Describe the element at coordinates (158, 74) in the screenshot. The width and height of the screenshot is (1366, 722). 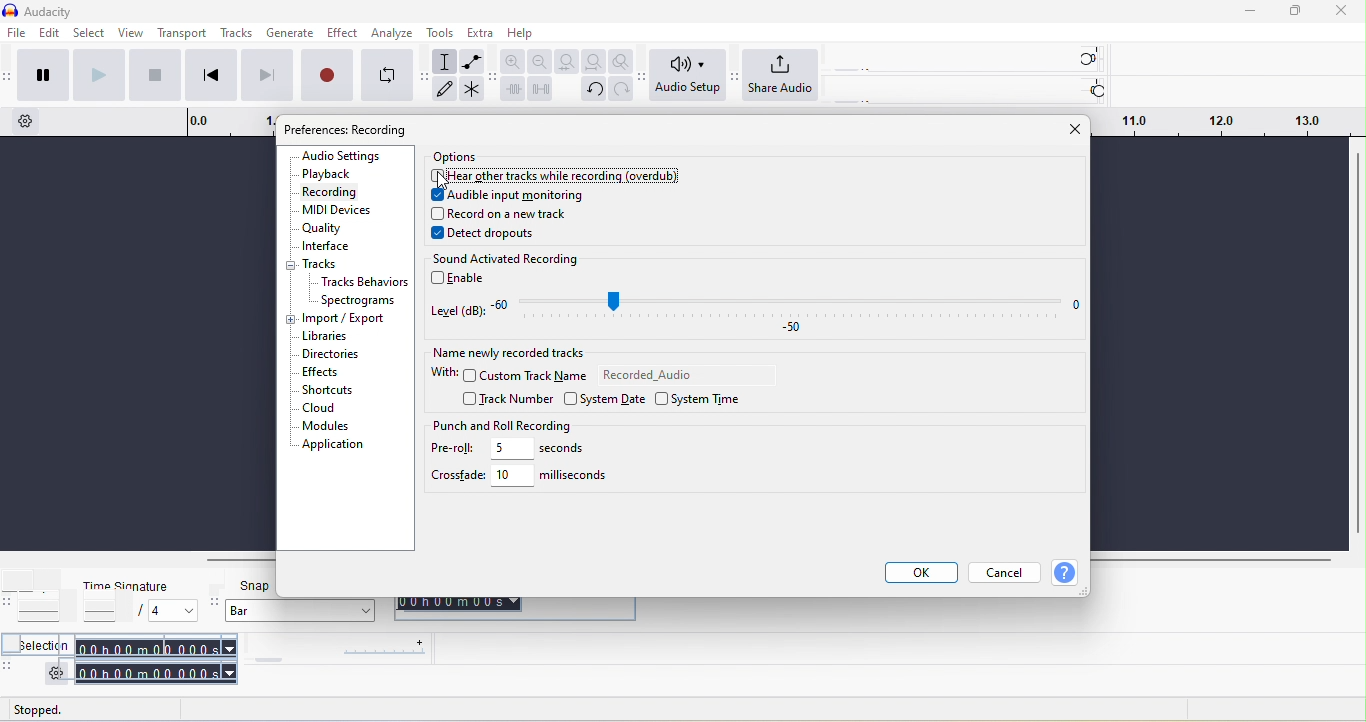
I see `stop` at that location.